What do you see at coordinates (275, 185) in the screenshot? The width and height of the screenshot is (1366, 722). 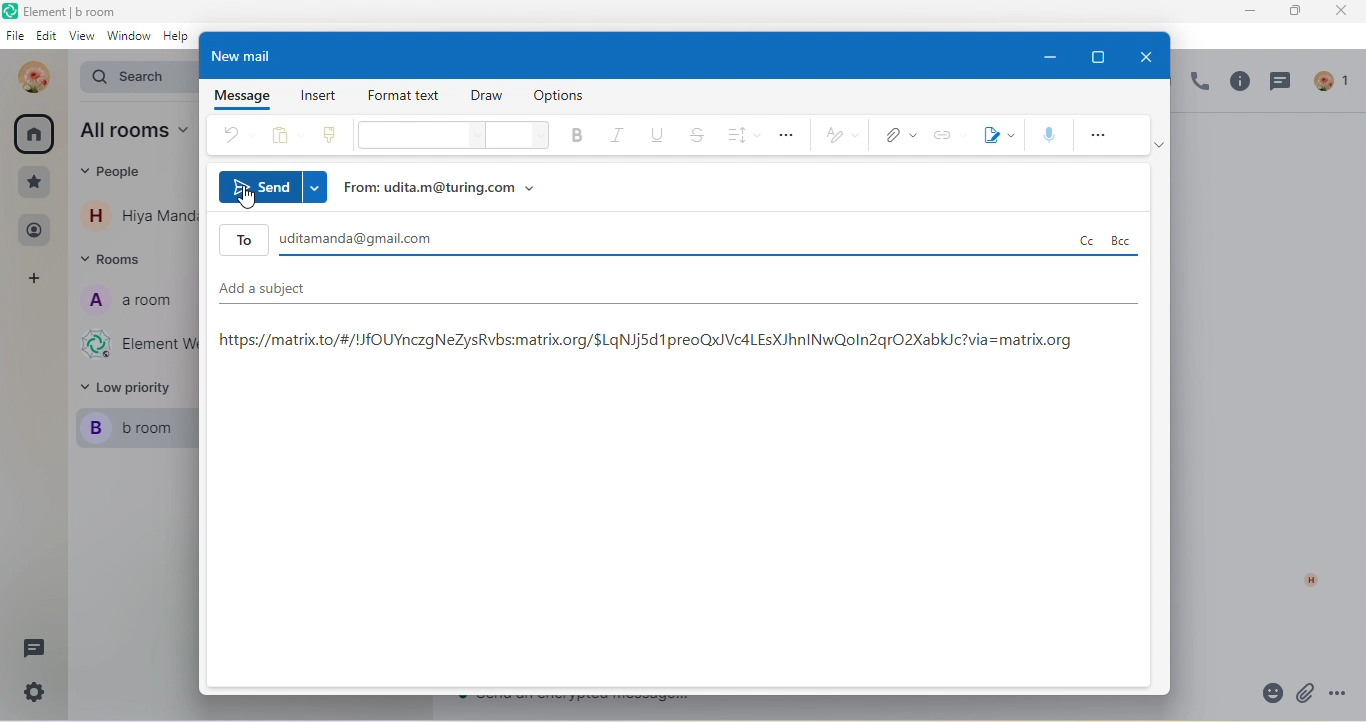 I see `send` at bounding box center [275, 185].